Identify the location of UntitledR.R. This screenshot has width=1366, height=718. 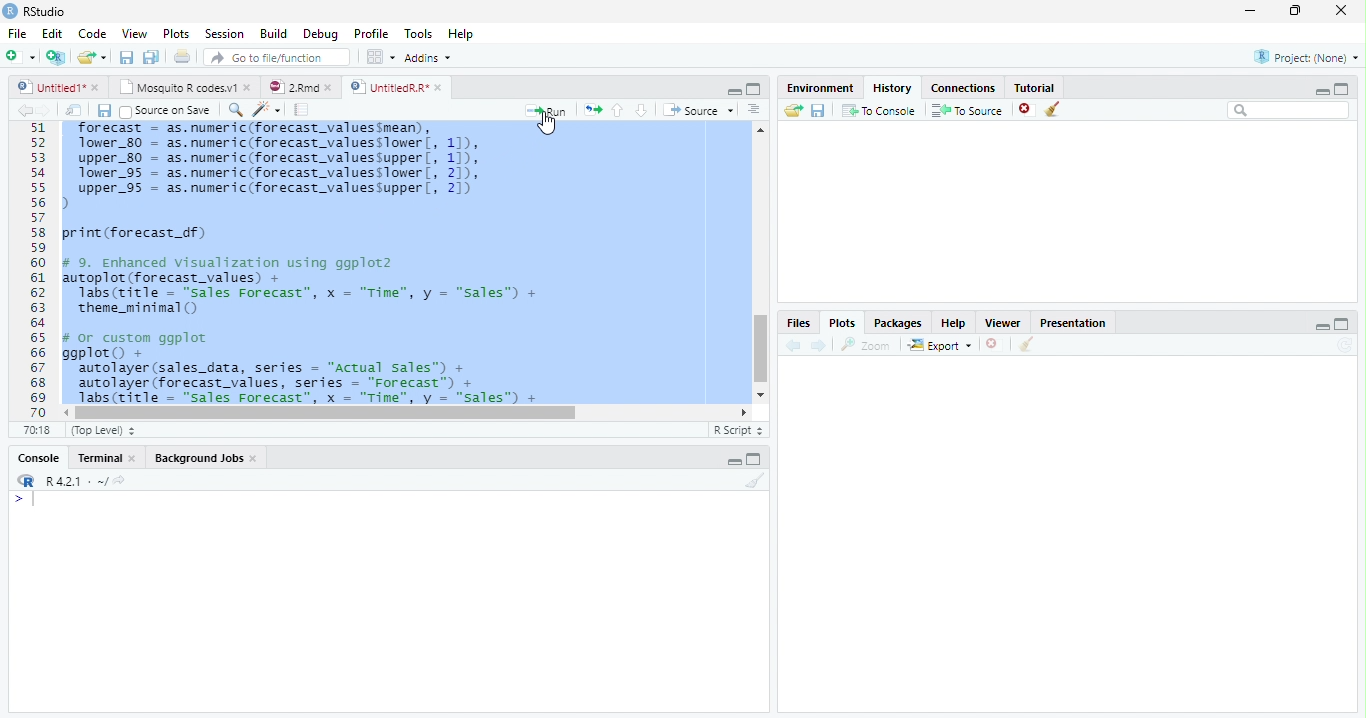
(403, 86).